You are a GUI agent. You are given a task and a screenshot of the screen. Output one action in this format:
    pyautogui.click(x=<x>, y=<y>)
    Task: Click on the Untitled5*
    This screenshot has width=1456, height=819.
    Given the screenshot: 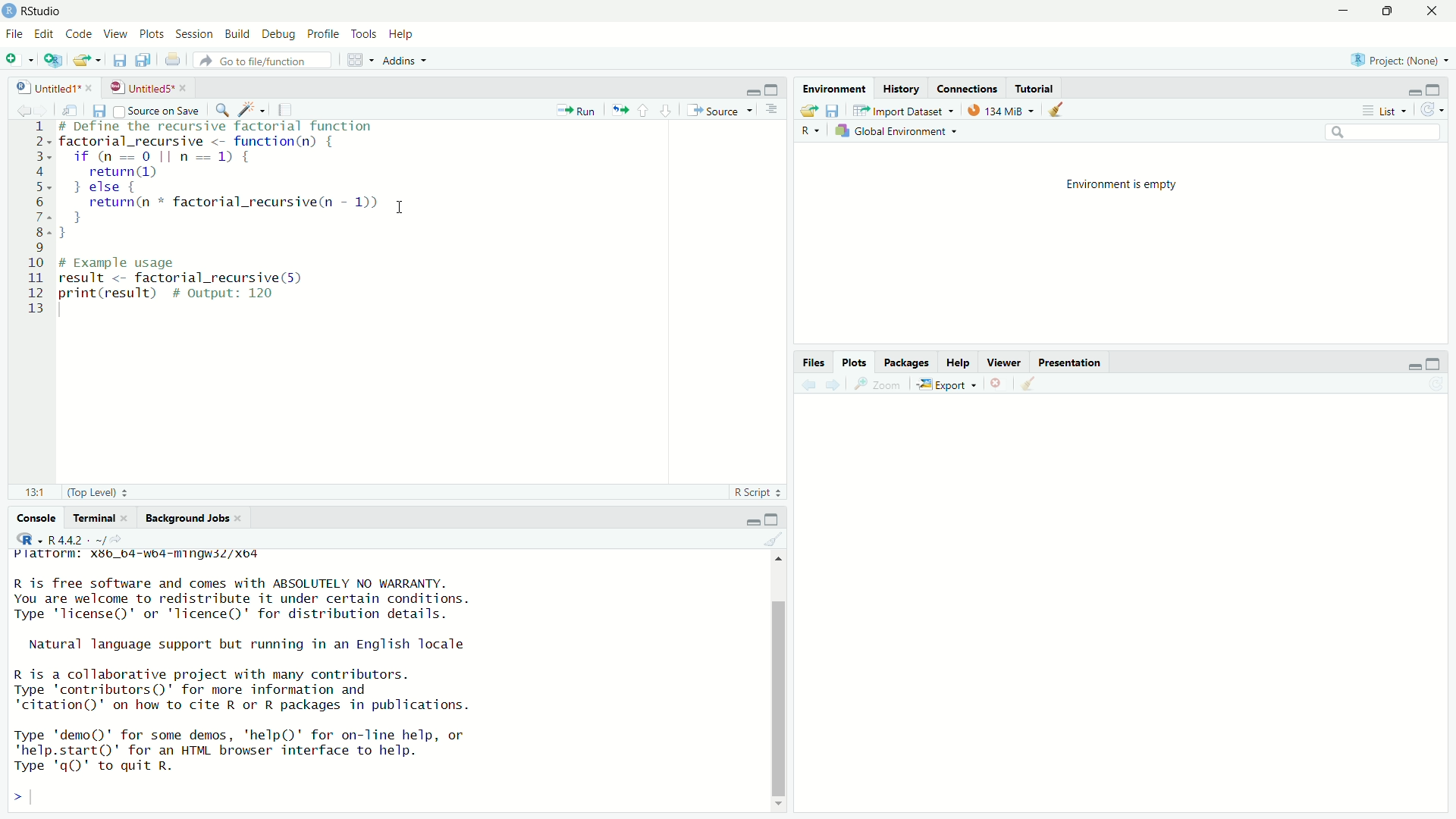 What is the action you would take?
    pyautogui.click(x=143, y=87)
    